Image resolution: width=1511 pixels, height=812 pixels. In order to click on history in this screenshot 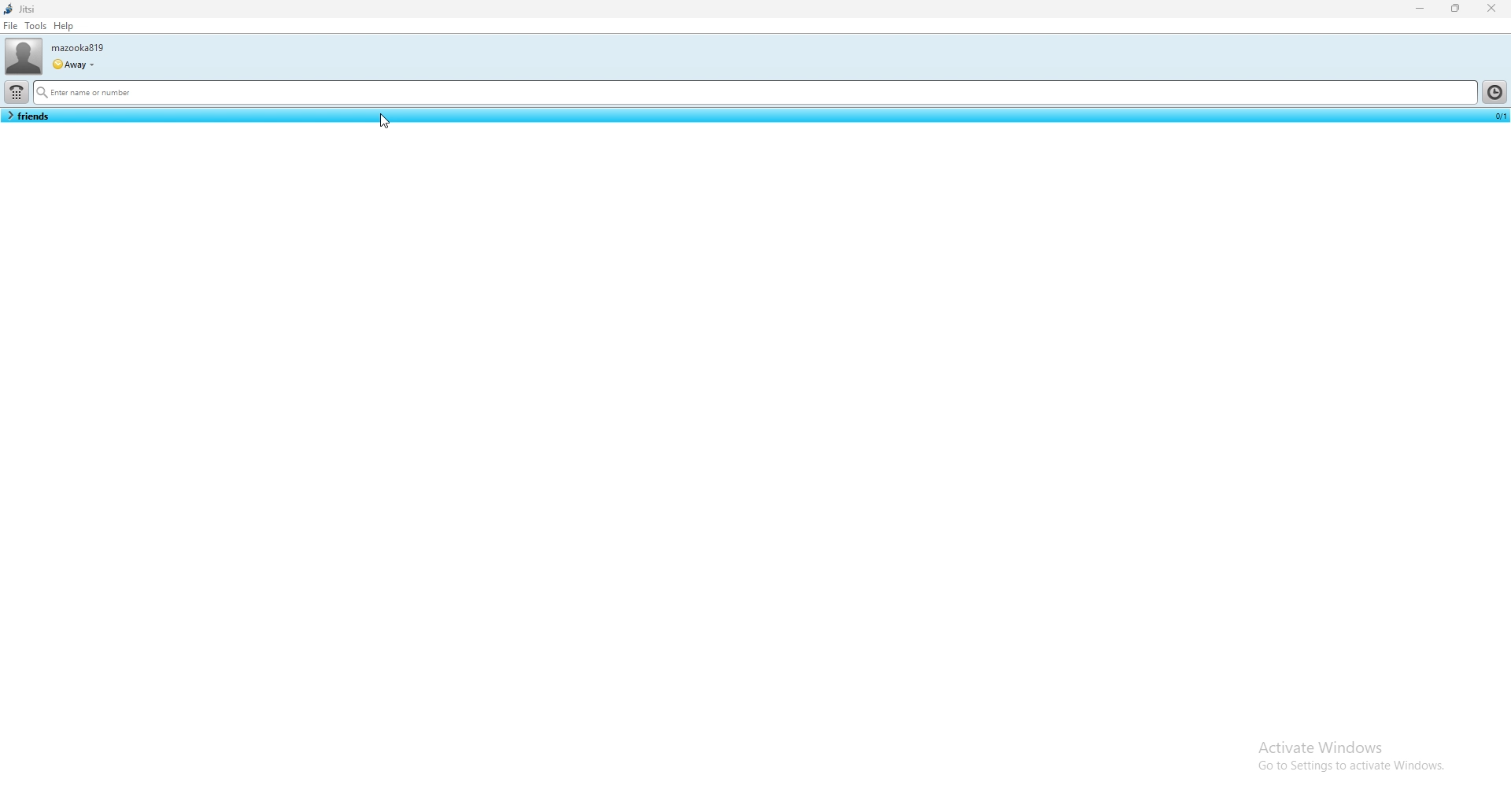, I will do `click(1494, 92)`.